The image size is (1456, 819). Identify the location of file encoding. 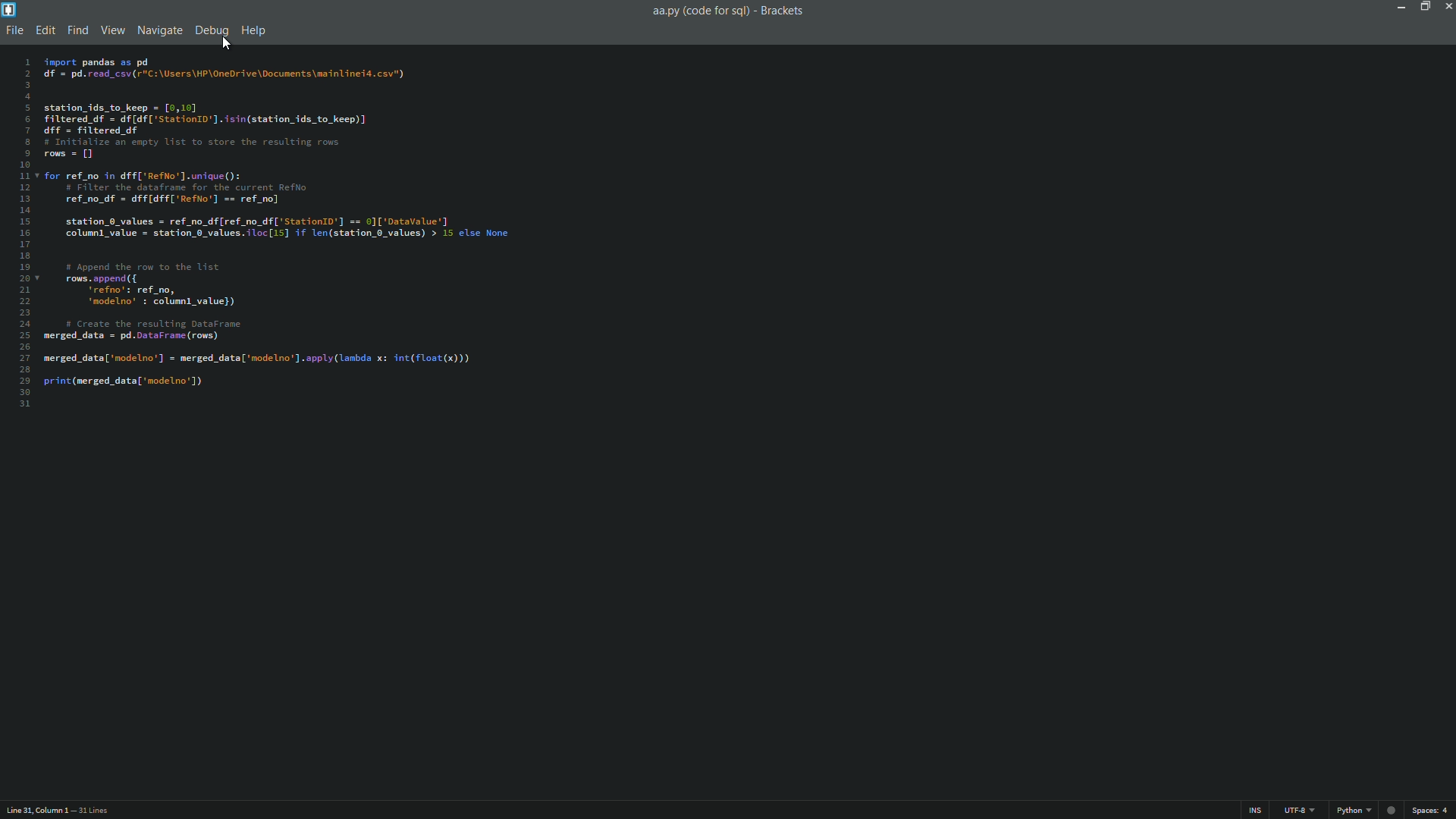
(1298, 811).